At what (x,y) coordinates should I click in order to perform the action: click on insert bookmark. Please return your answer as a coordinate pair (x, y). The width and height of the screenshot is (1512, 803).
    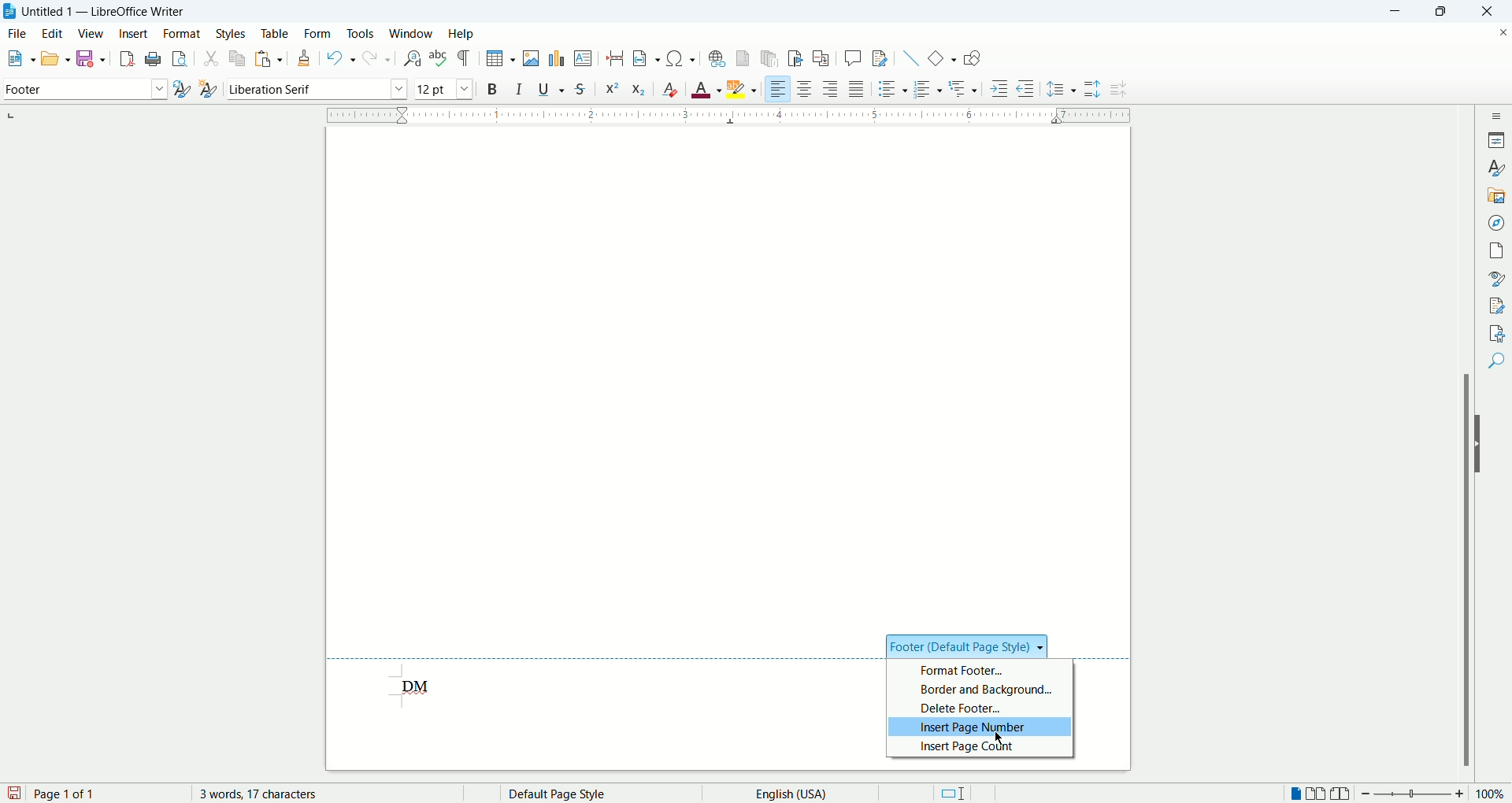
    Looking at the image, I should click on (799, 58).